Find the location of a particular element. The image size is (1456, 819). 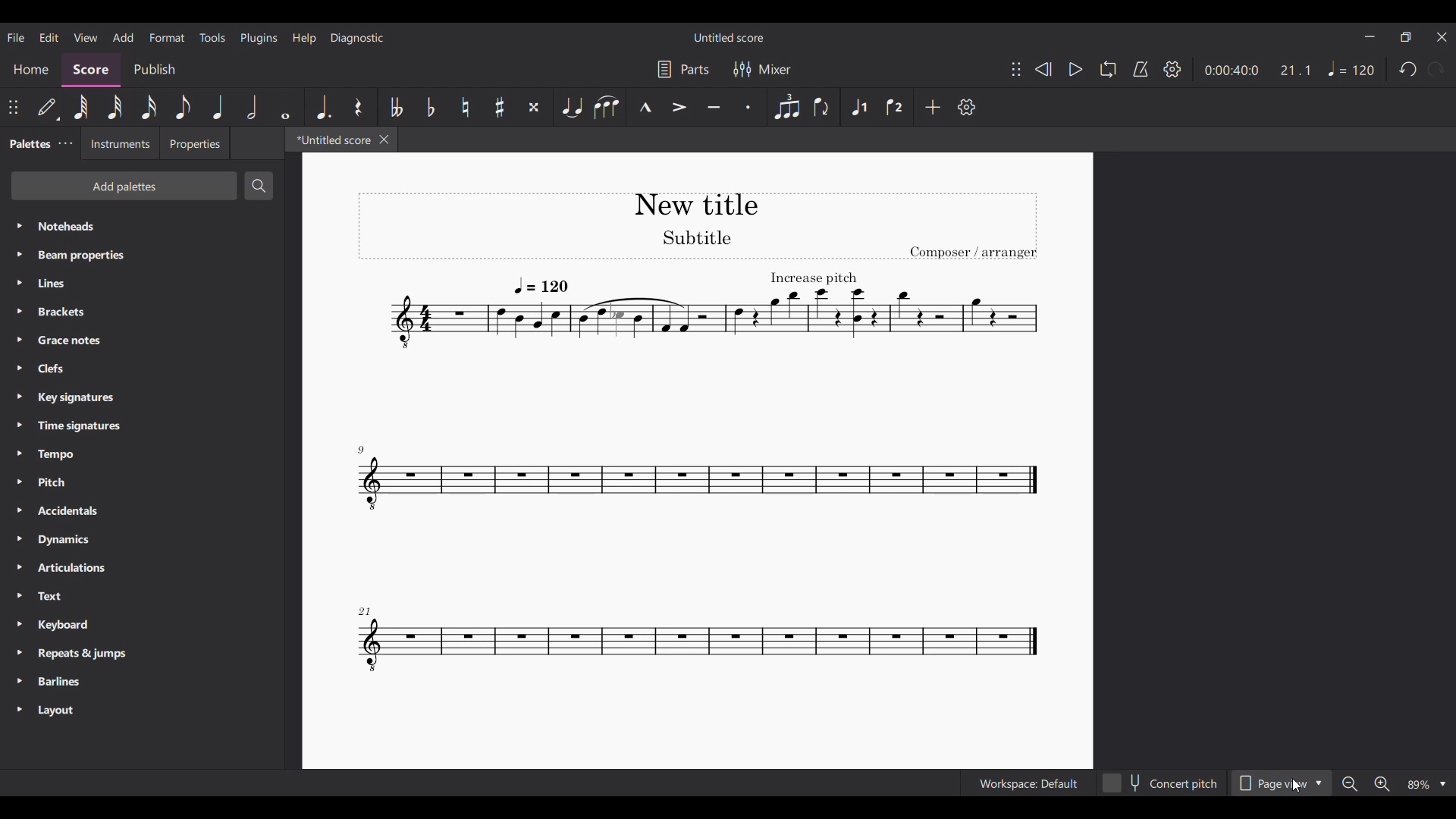

Tenuto is located at coordinates (714, 107).